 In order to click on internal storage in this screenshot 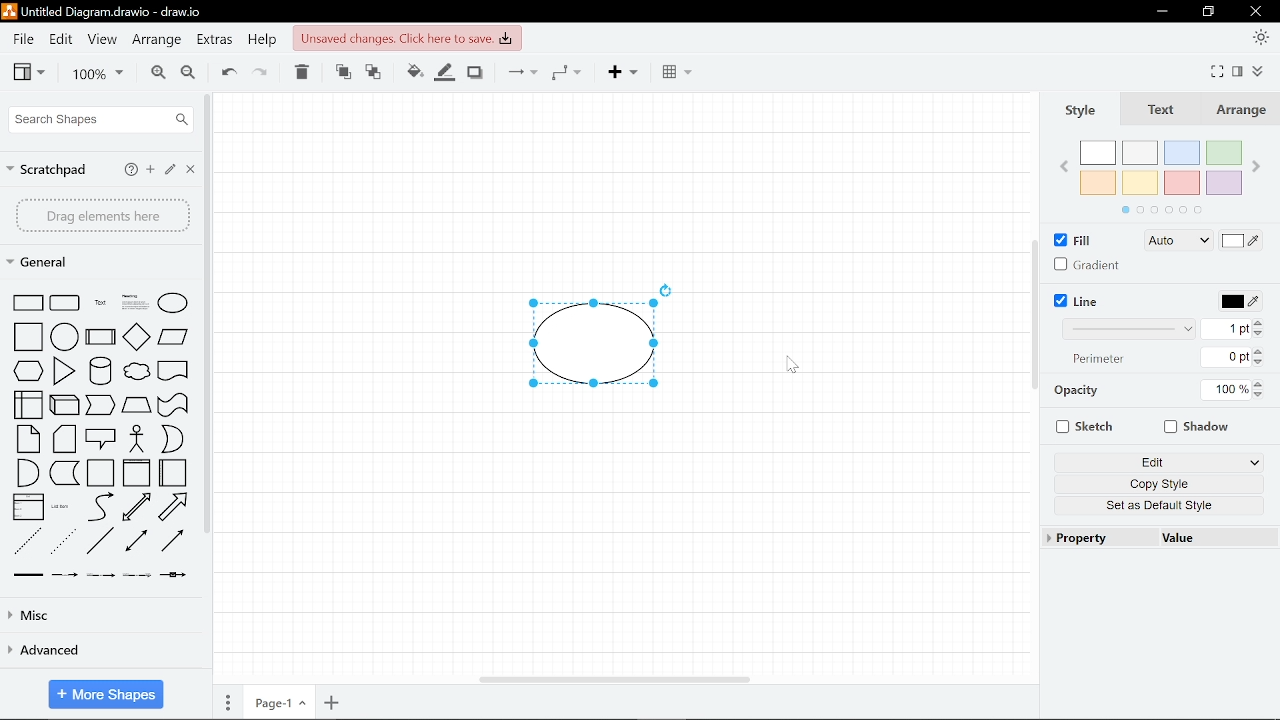, I will do `click(29, 406)`.